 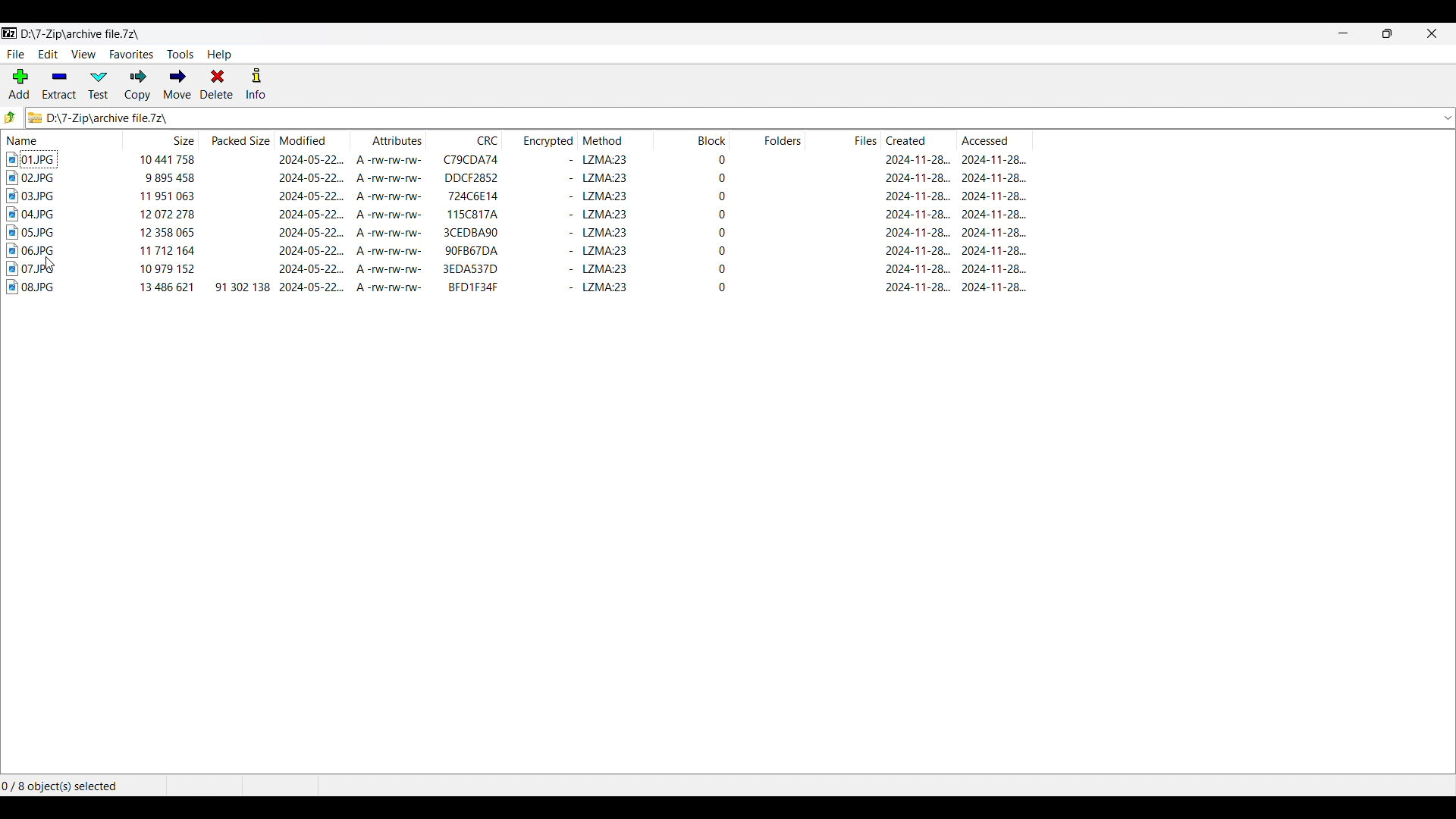 I want to click on block start, so click(x=719, y=287).